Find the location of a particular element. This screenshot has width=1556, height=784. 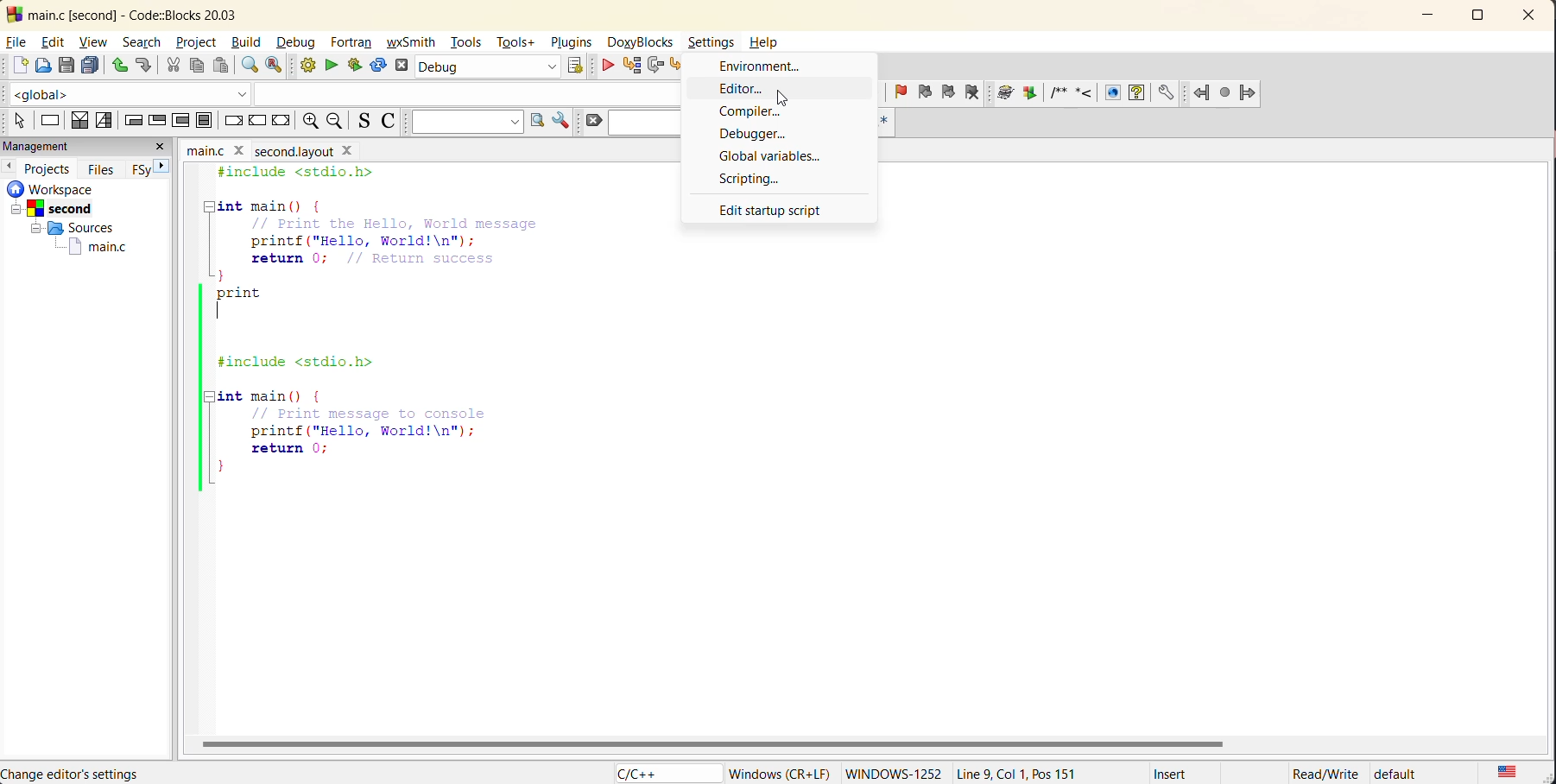

last jump is located at coordinates (1224, 93).